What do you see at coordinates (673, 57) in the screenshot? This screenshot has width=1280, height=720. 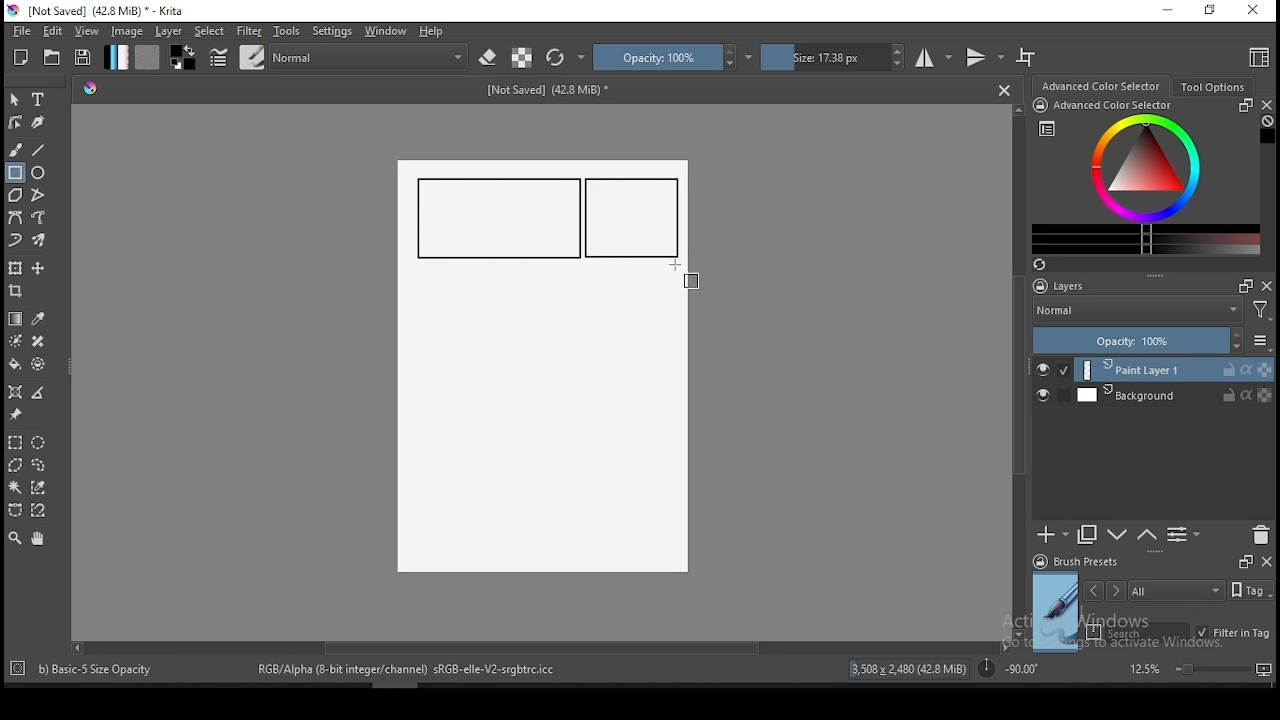 I see `opacity` at bounding box center [673, 57].